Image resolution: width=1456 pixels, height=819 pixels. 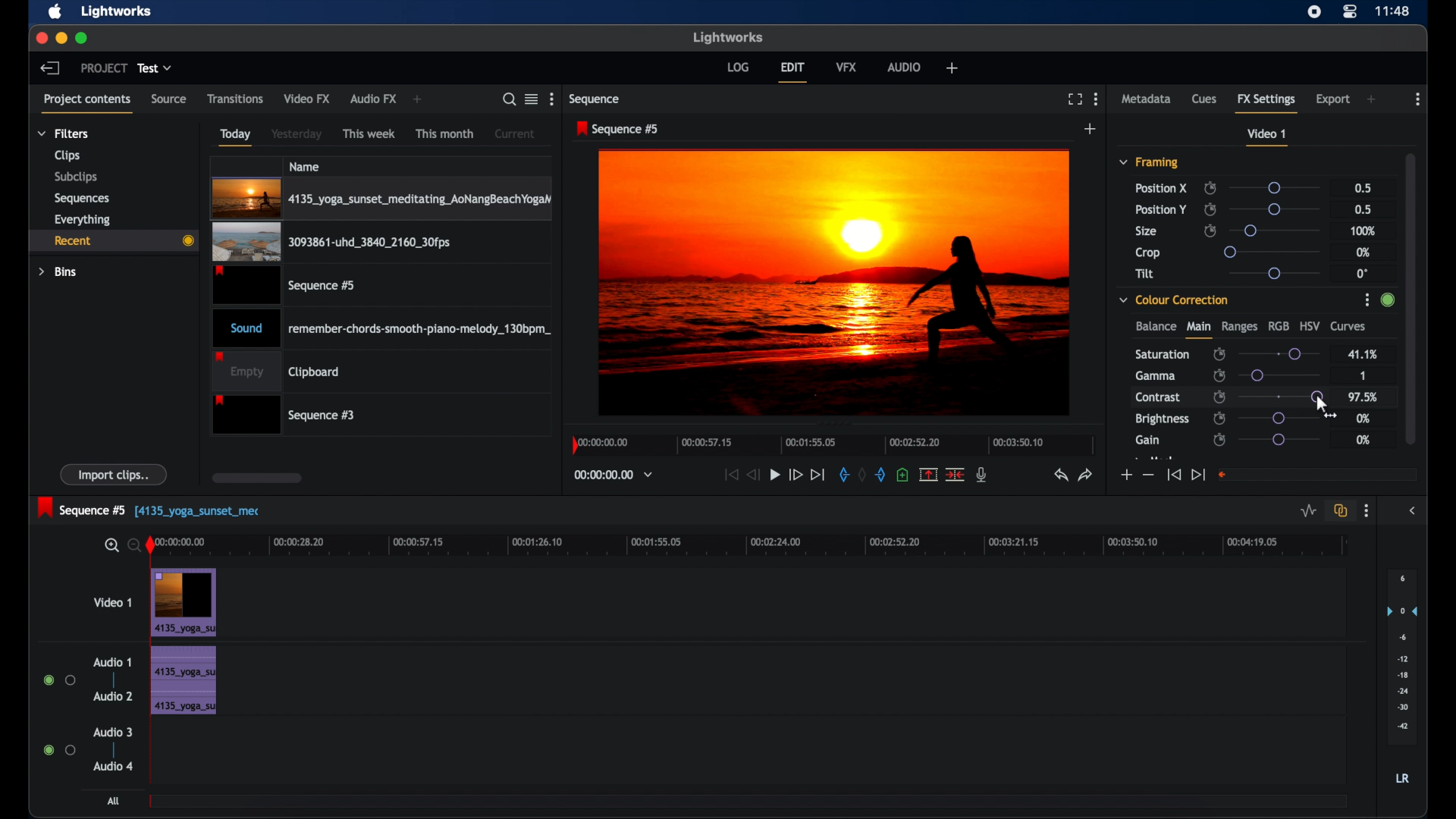 What do you see at coordinates (1159, 398) in the screenshot?
I see `contrast` at bounding box center [1159, 398].